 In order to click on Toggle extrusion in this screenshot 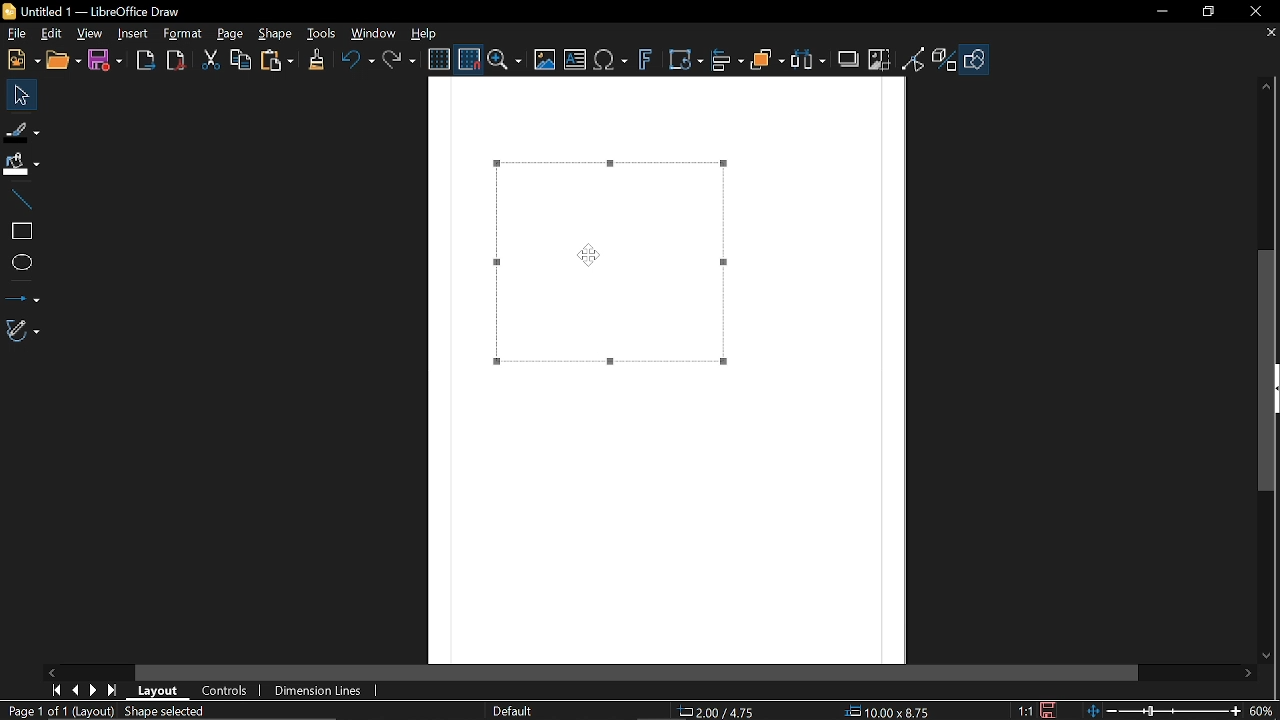, I will do `click(945, 61)`.